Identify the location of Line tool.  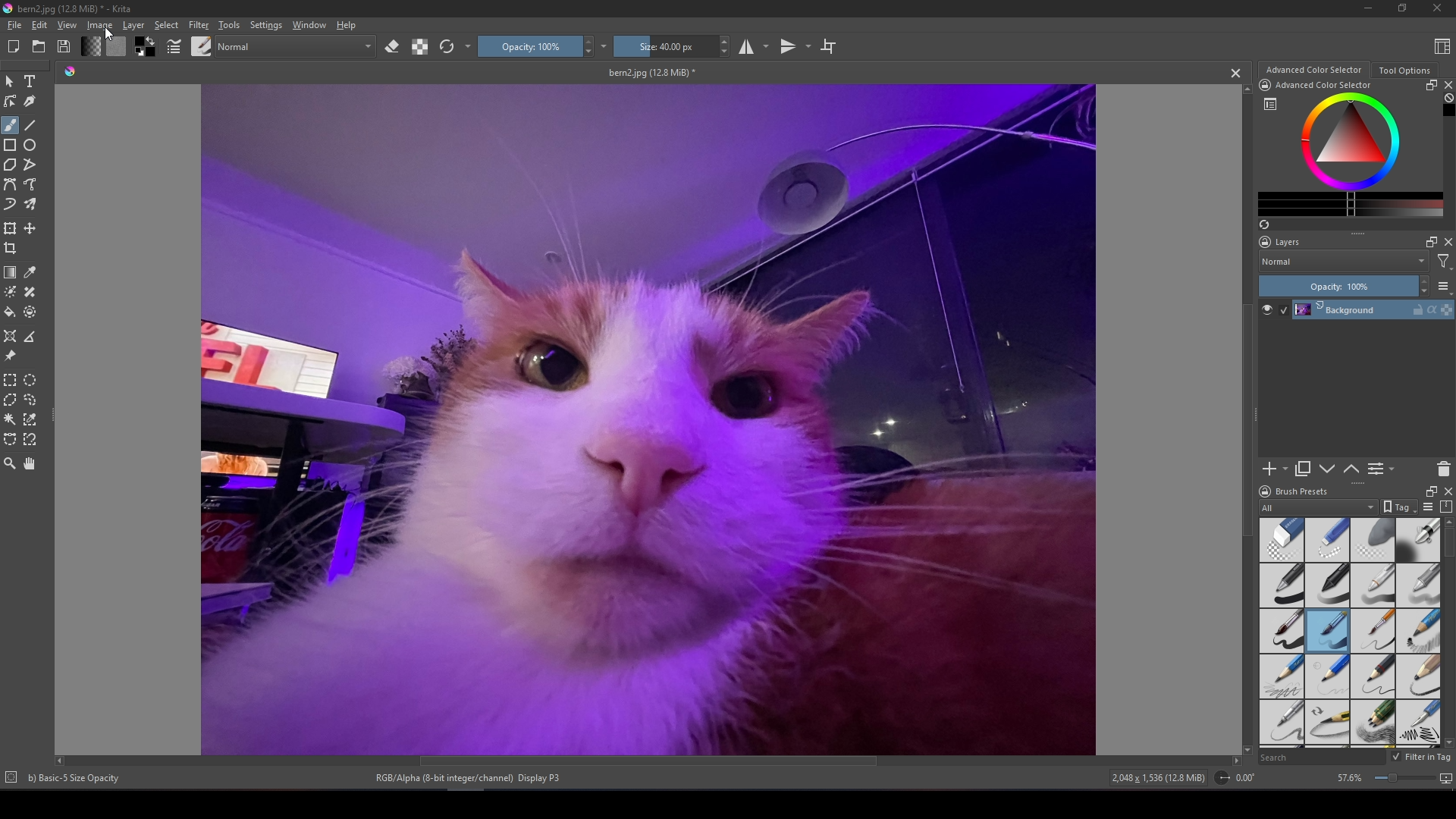
(30, 126).